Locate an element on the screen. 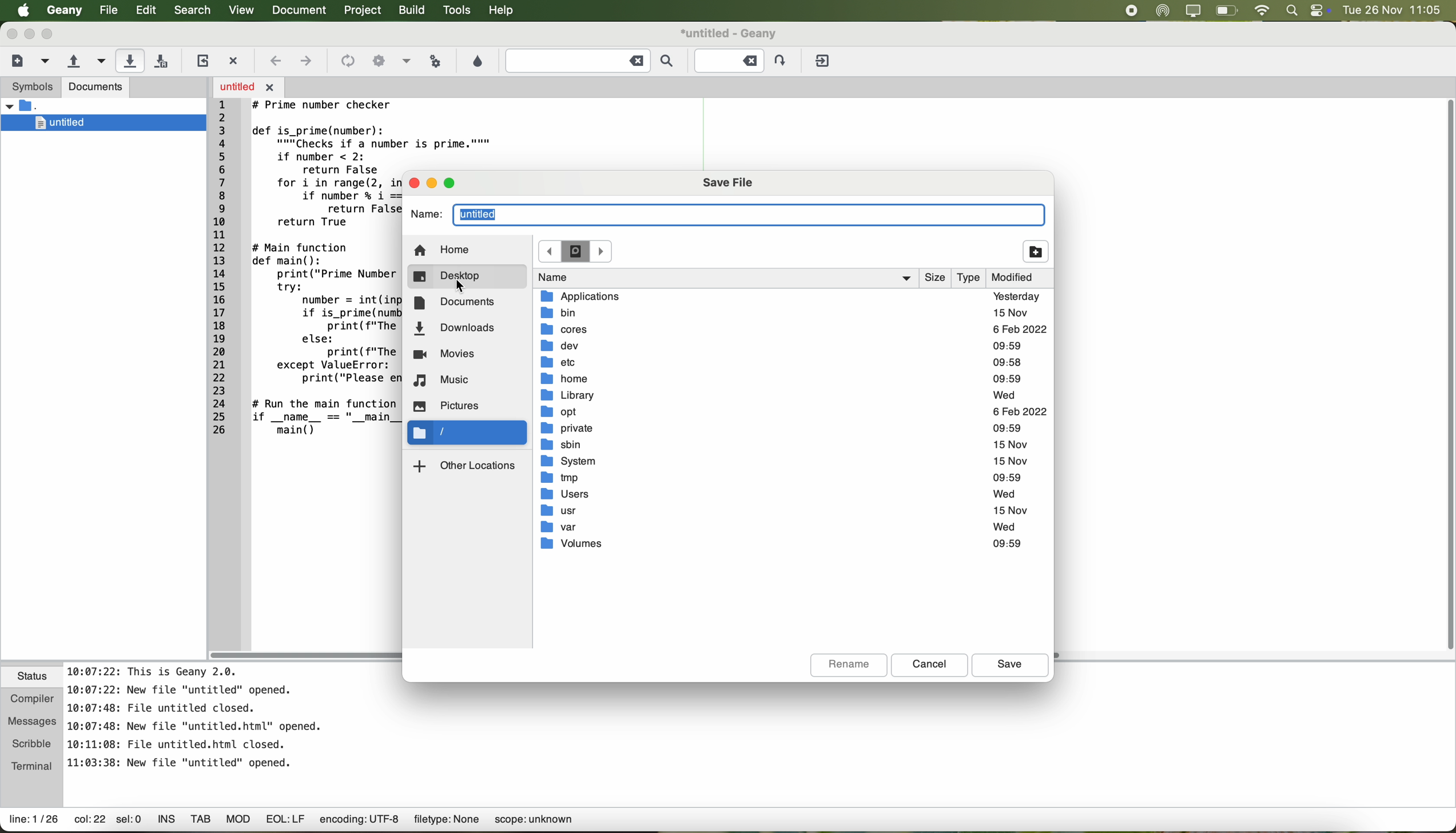  bin is located at coordinates (785, 313).